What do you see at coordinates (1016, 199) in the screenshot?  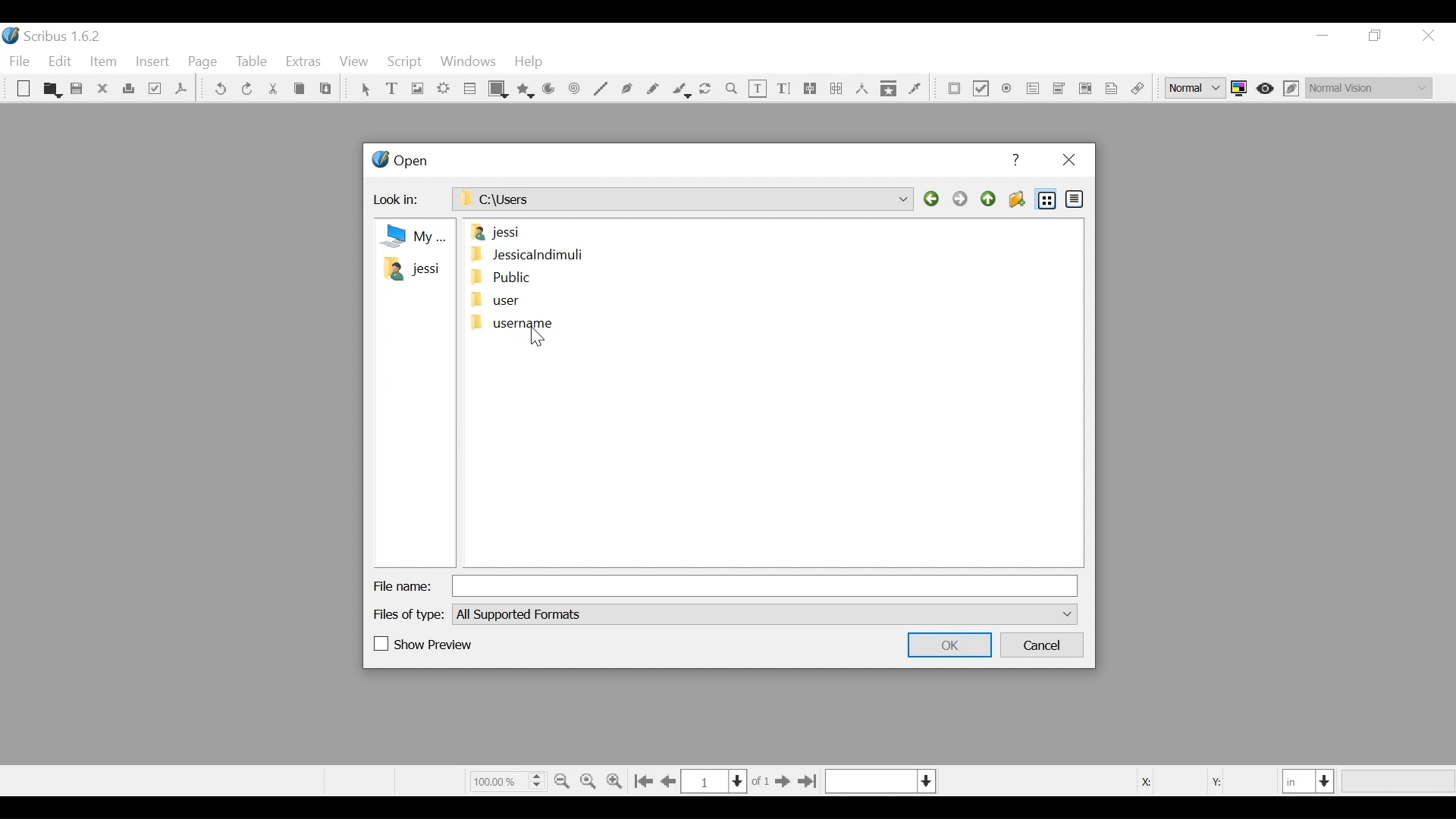 I see `Create Folder` at bounding box center [1016, 199].